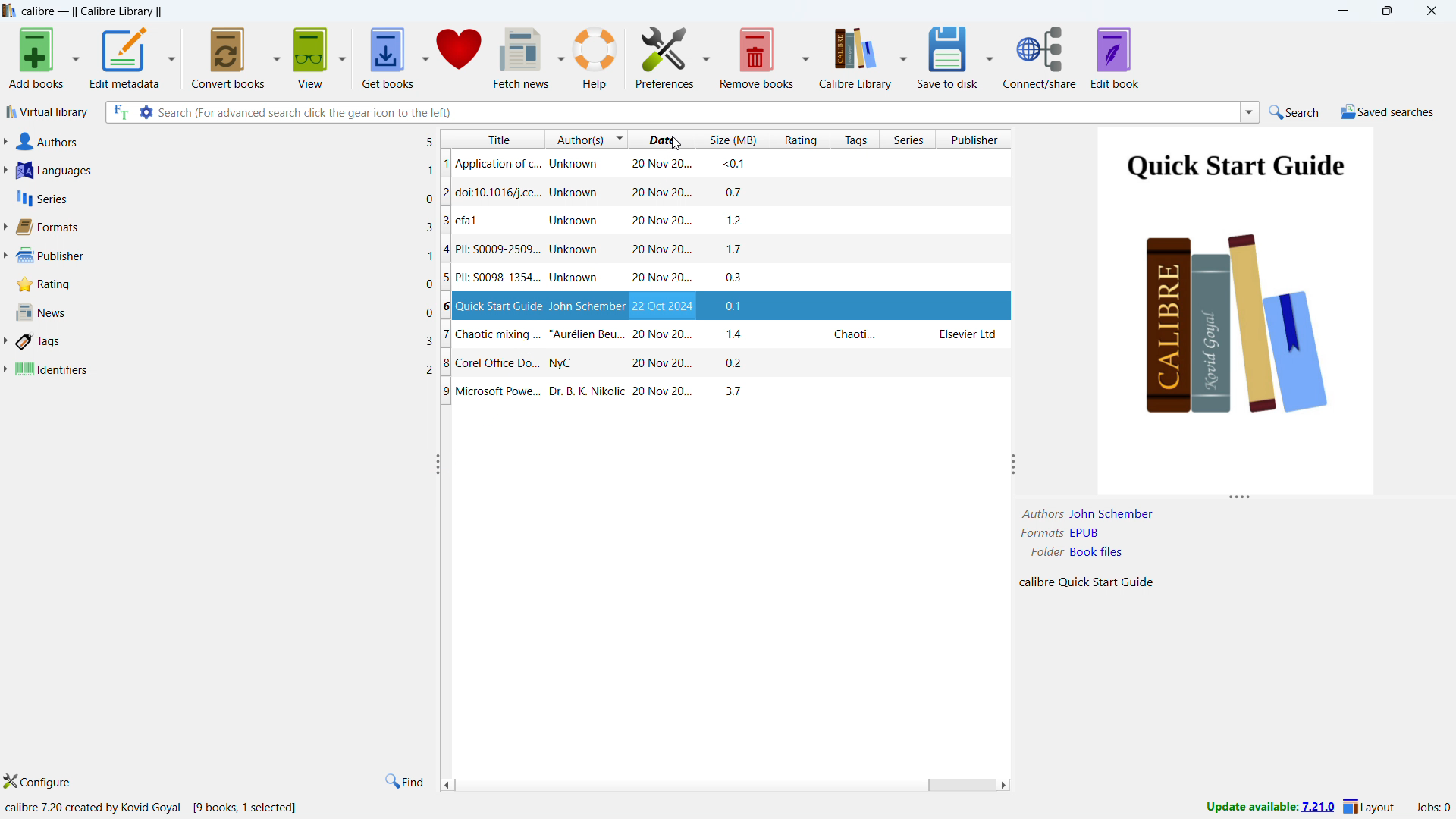  I want to click on cursor, so click(676, 141).